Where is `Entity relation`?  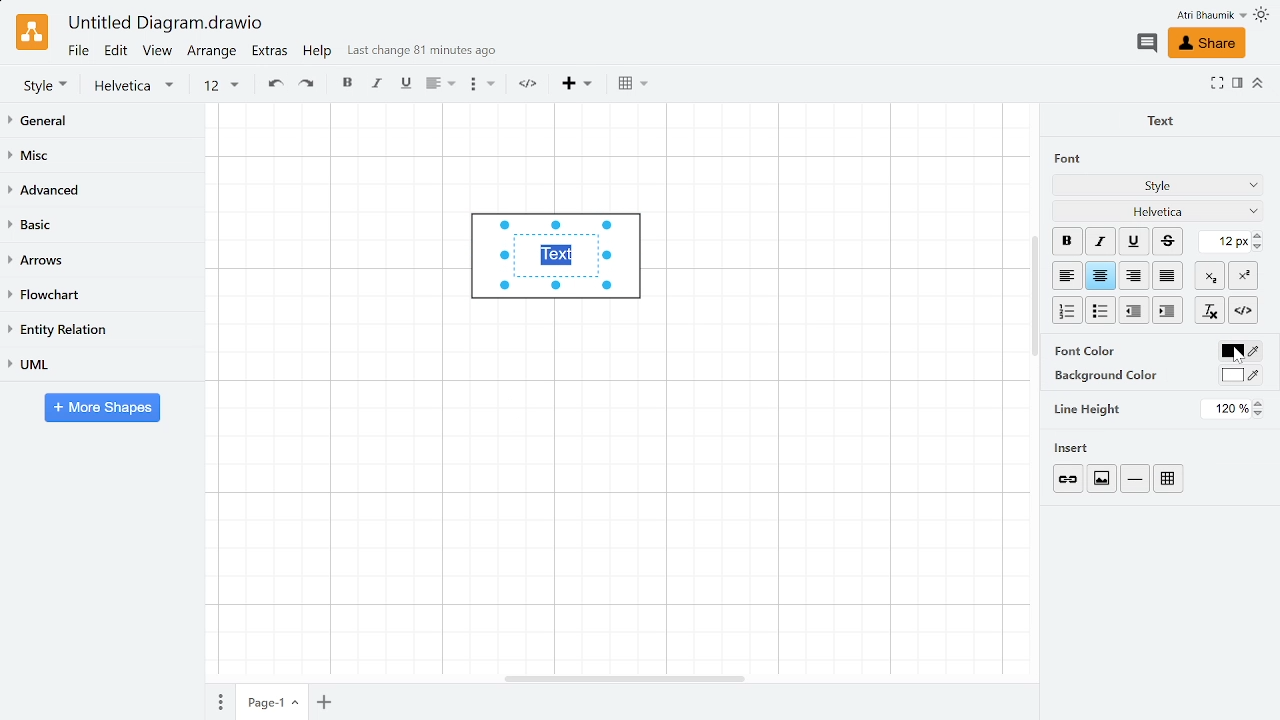 Entity relation is located at coordinates (100, 330).